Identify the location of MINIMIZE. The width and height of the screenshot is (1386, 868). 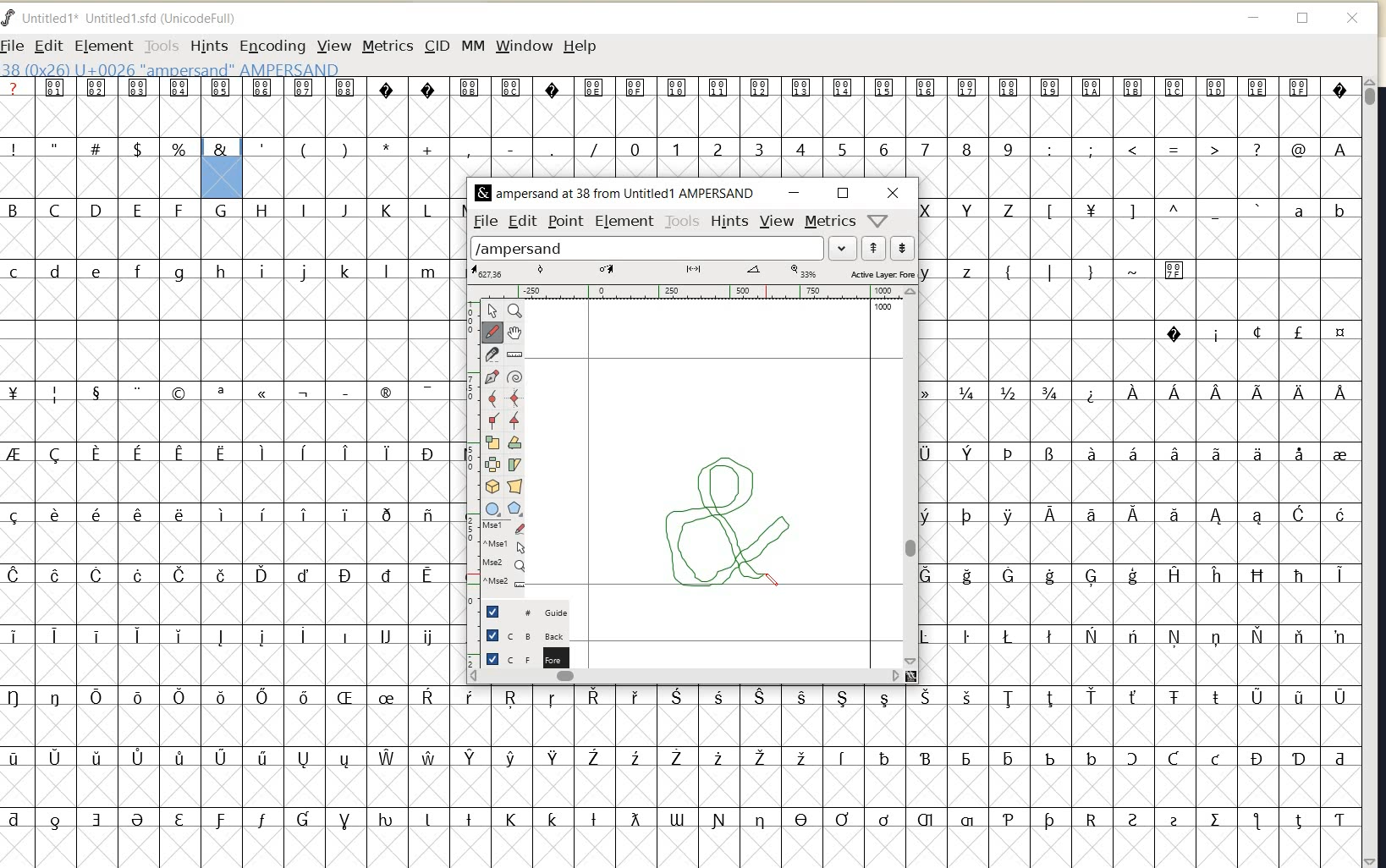
(798, 192).